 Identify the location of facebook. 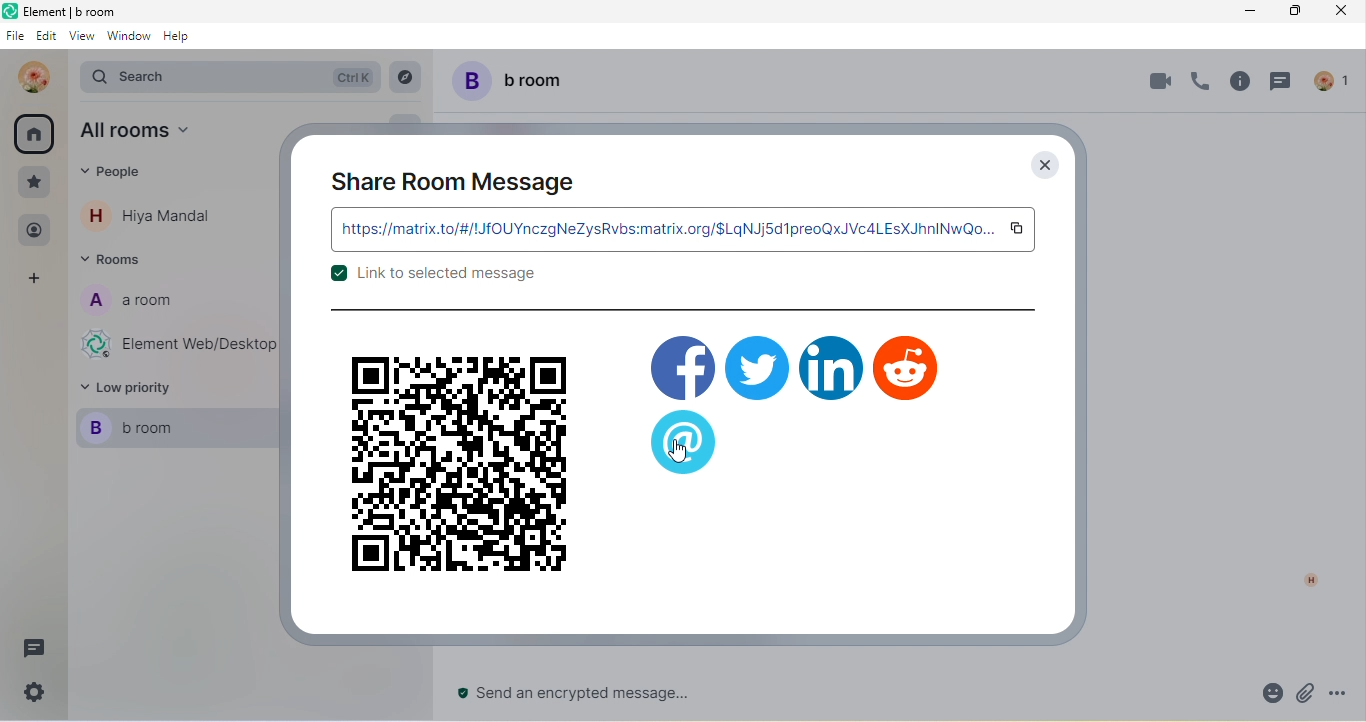
(682, 363).